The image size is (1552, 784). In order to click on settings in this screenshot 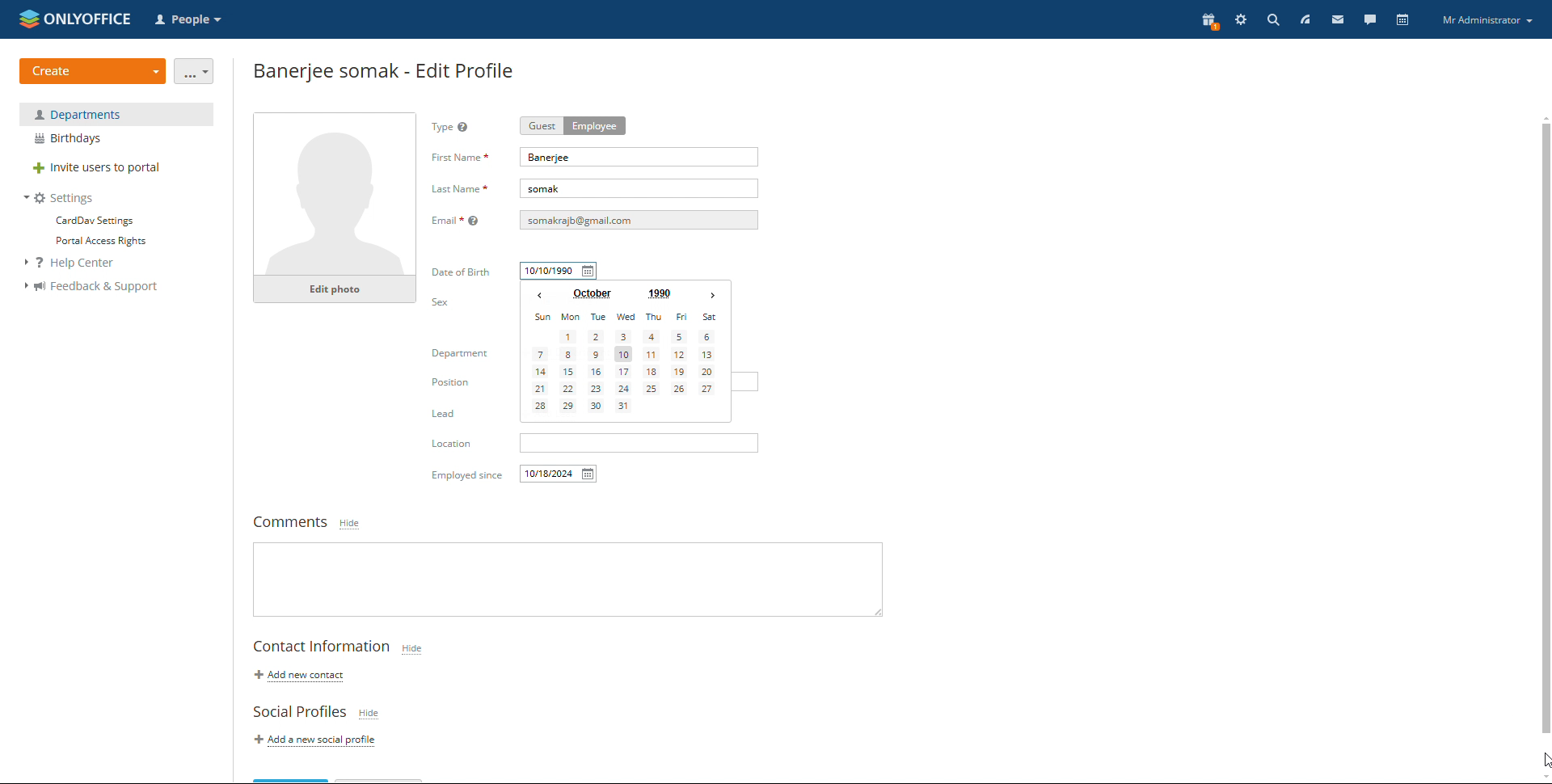, I will do `click(1241, 21)`.